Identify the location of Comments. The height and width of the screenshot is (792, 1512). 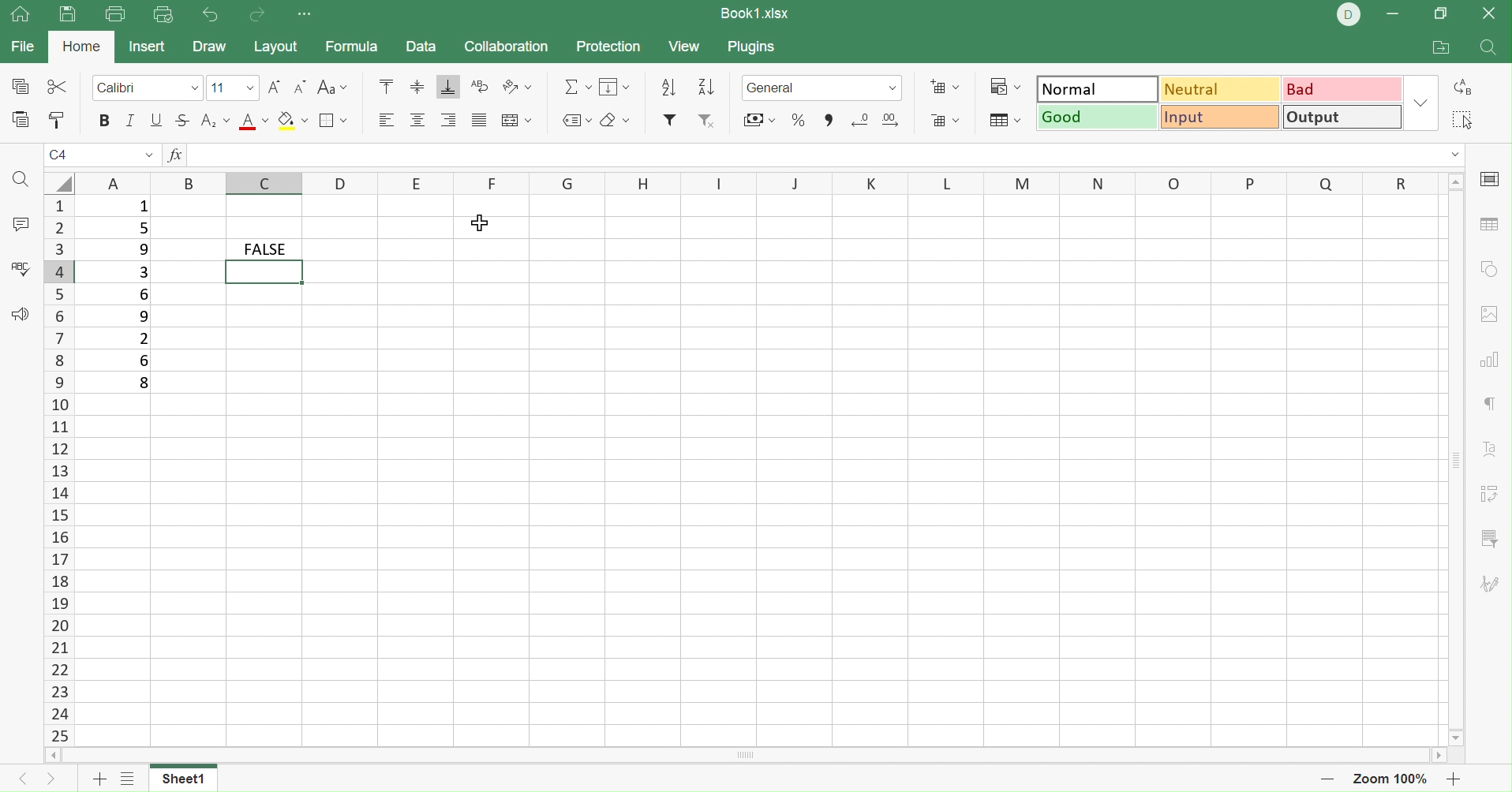
(20, 226).